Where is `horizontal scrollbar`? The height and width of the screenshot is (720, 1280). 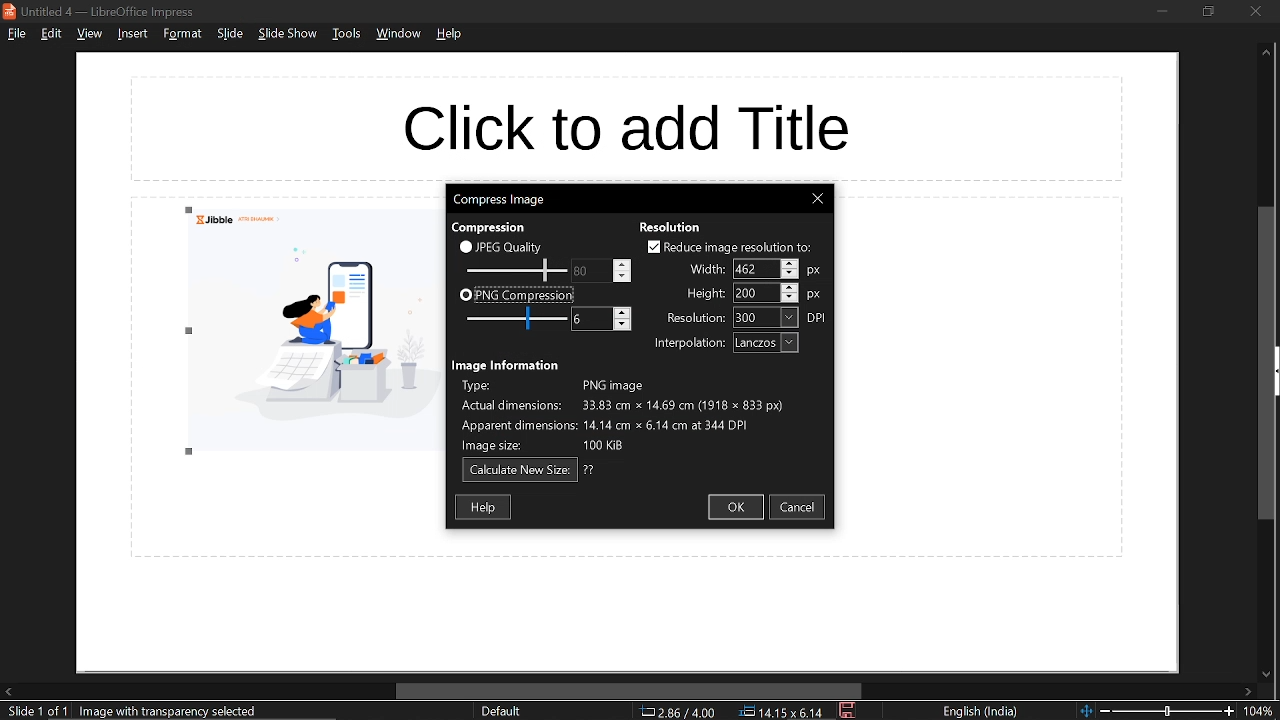 horizontal scrollbar is located at coordinates (630, 691).